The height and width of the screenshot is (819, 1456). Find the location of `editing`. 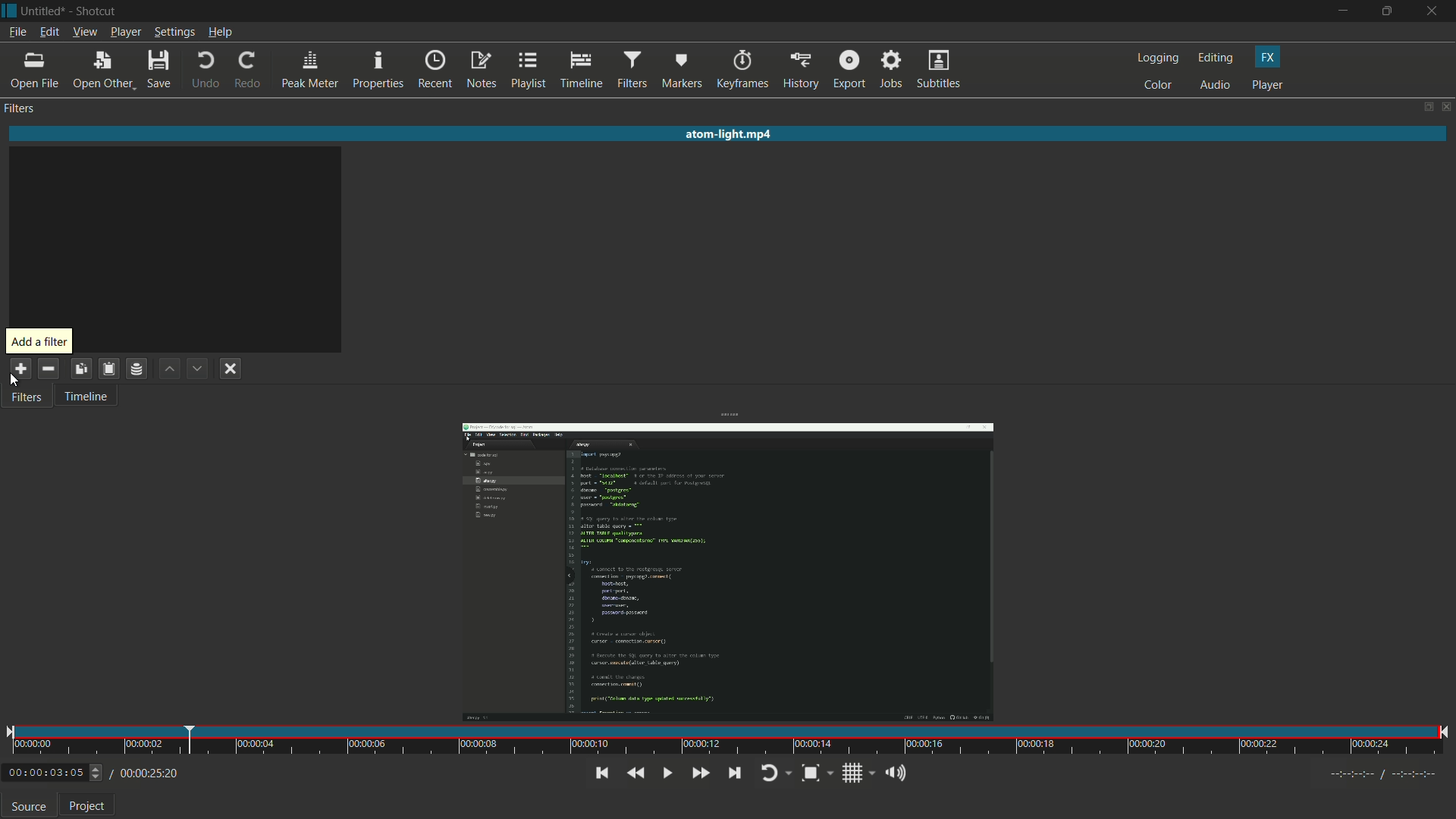

editing is located at coordinates (1216, 58).